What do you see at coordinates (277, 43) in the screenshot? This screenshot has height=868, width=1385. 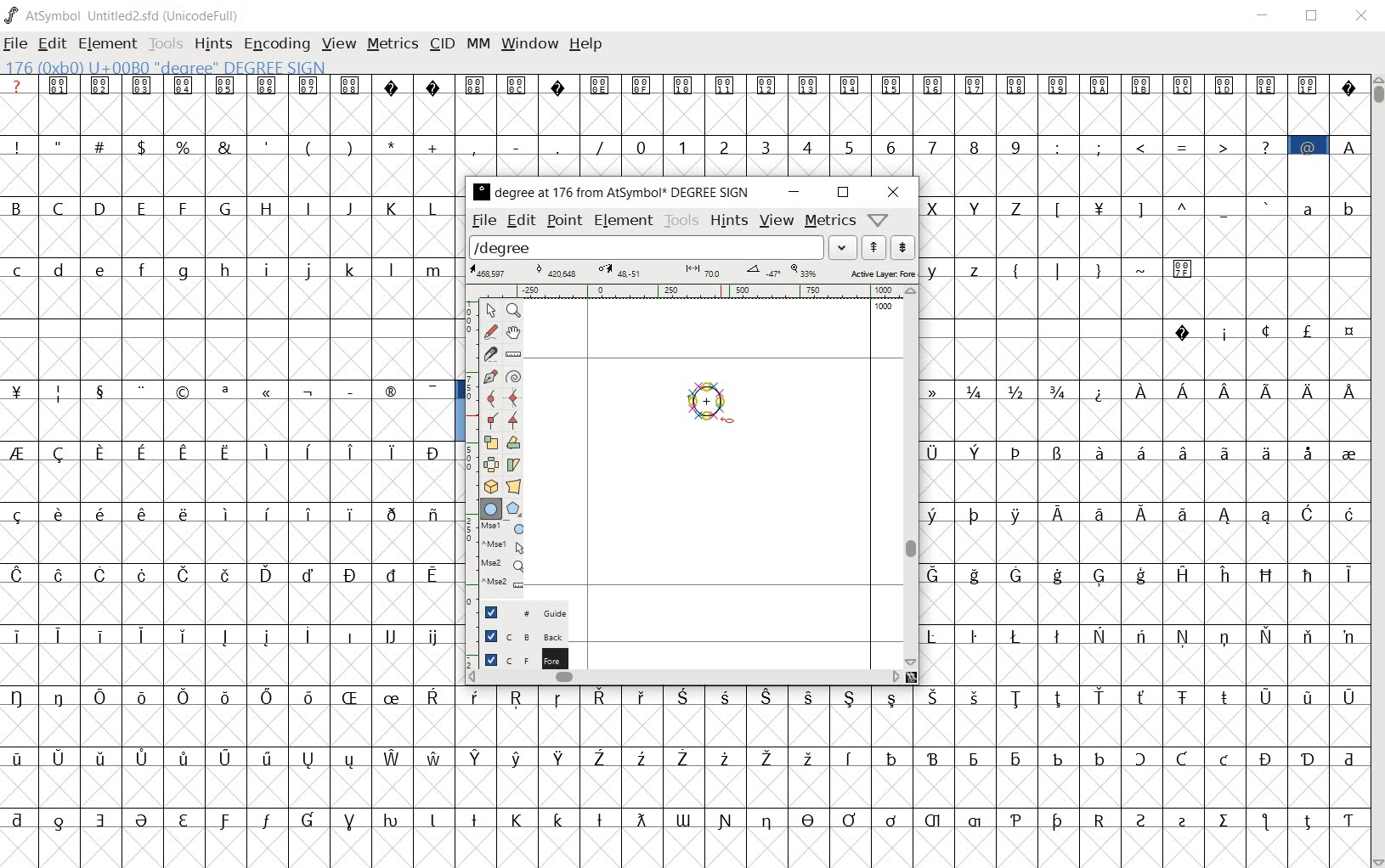 I see `encoding` at bounding box center [277, 43].